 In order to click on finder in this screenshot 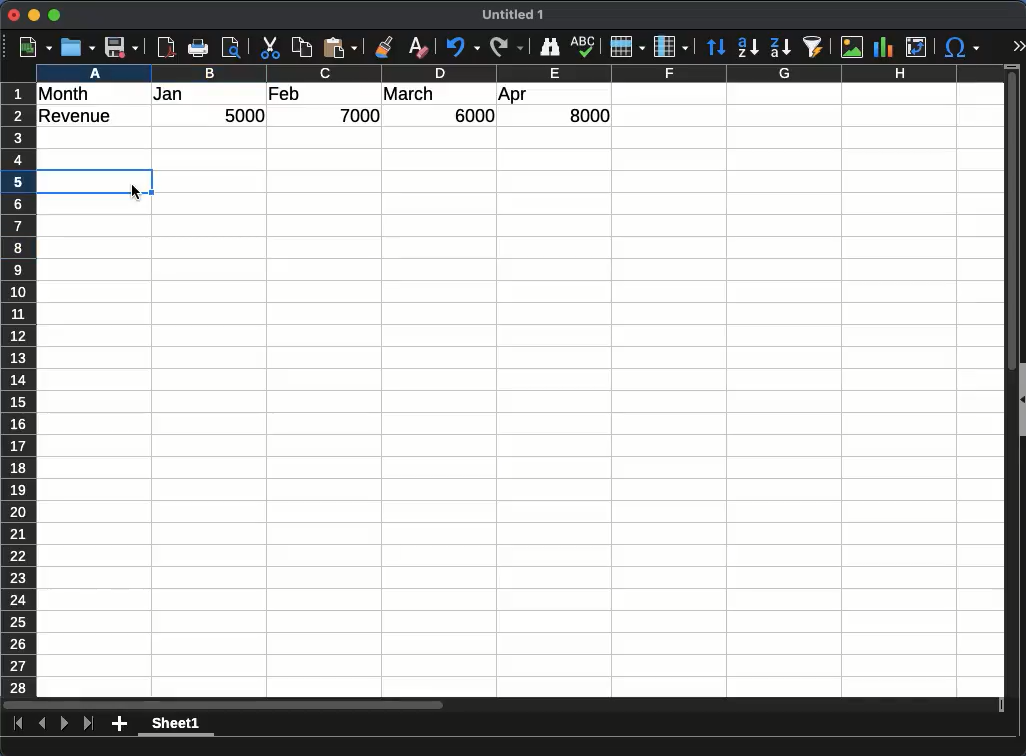, I will do `click(548, 47)`.